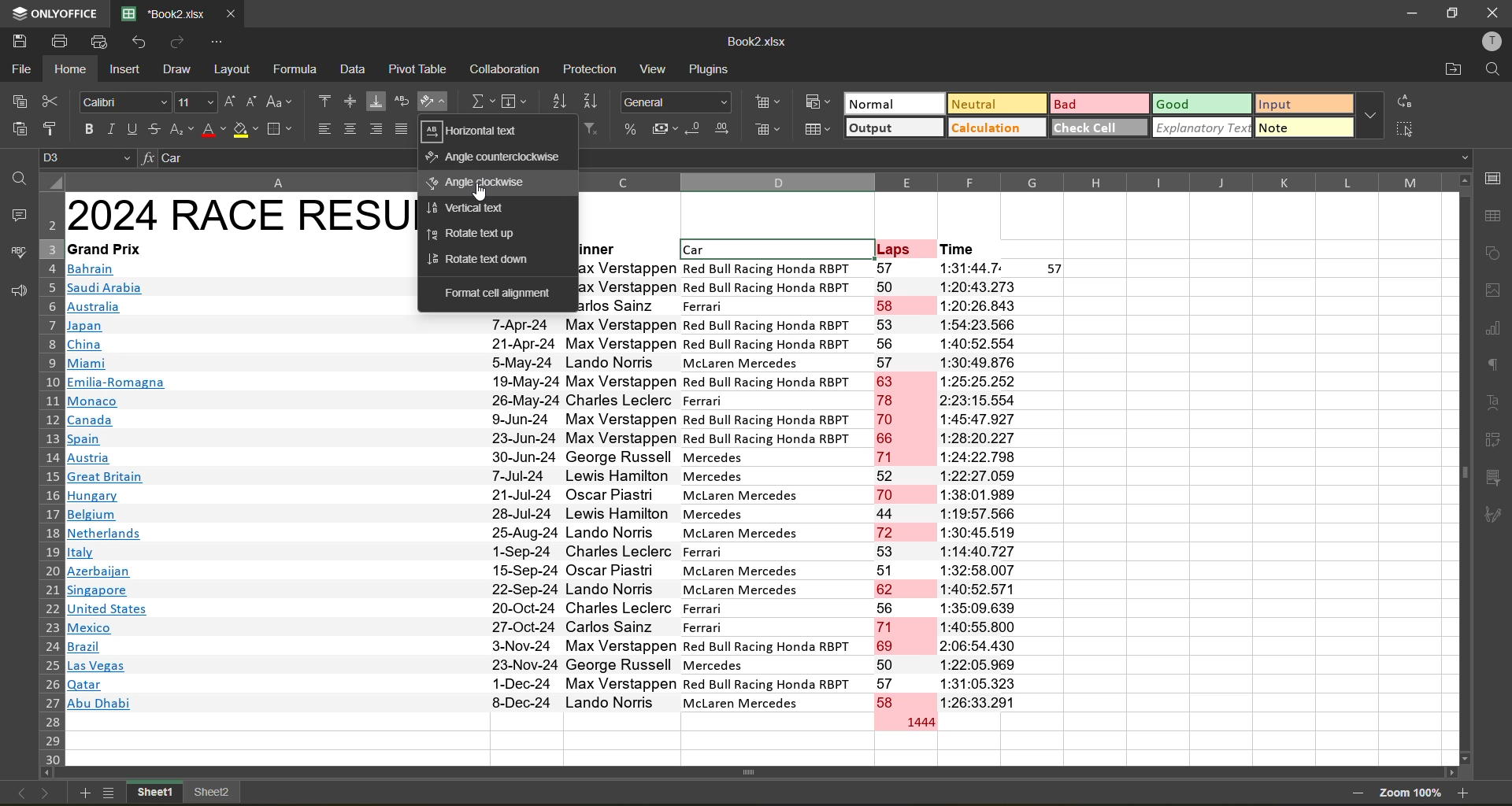  What do you see at coordinates (755, 771) in the screenshot?
I see `Horizontal scroll` at bounding box center [755, 771].